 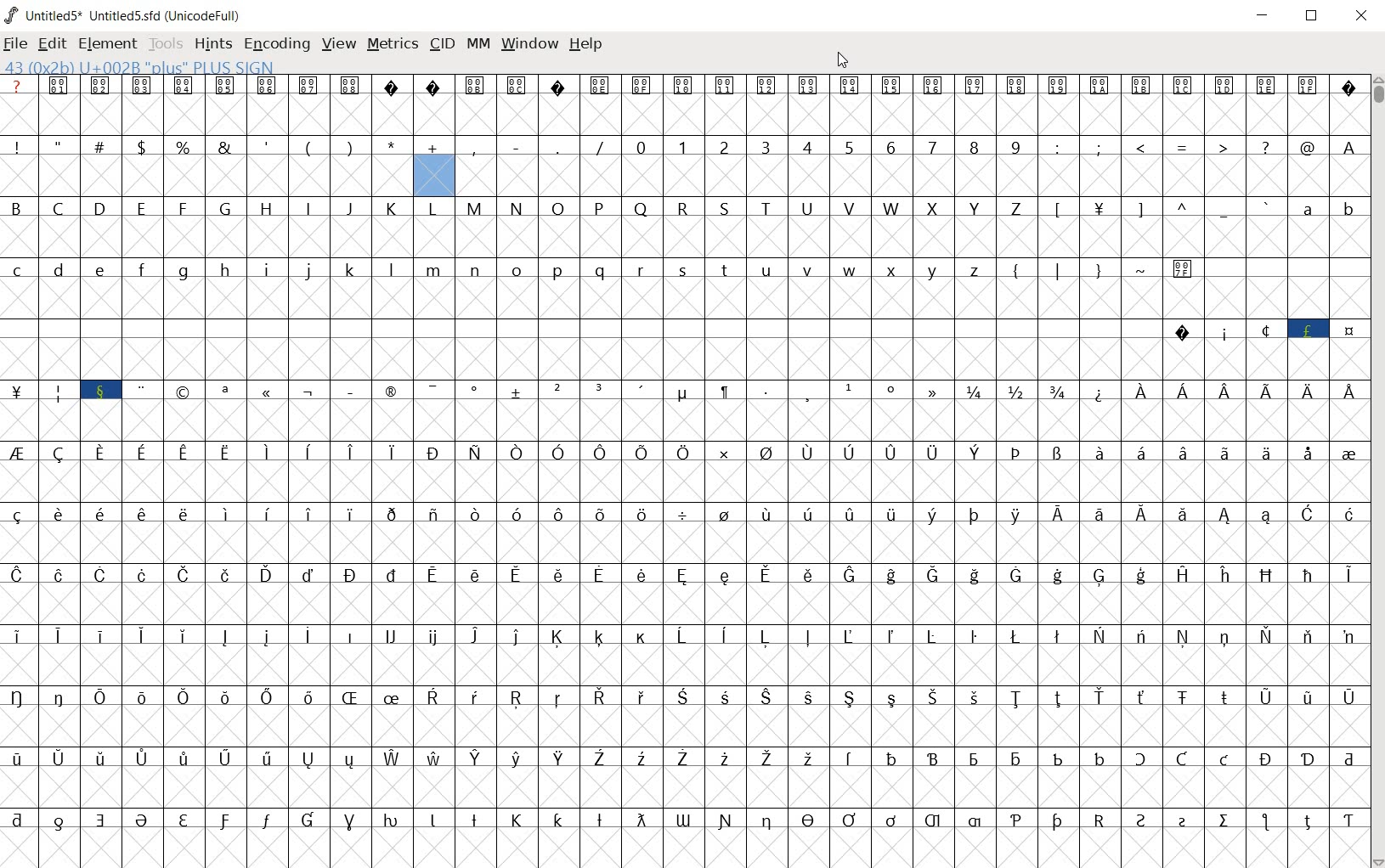 I want to click on | M
i, so click(x=18, y=413).